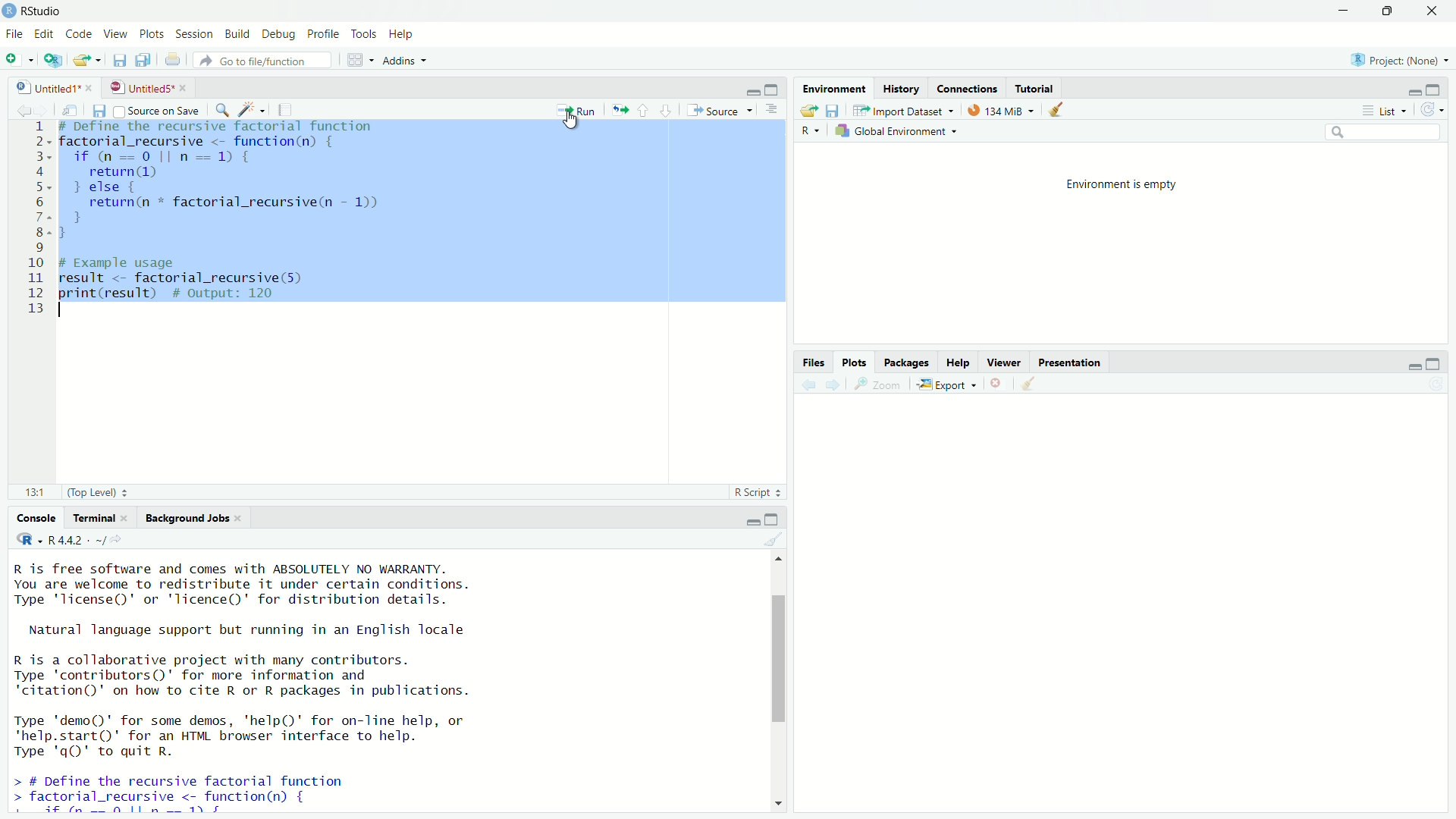 The height and width of the screenshot is (819, 1456). Describe the element at coordinates (1412, 366) in the screenshot. I see `Minimize` at that location.